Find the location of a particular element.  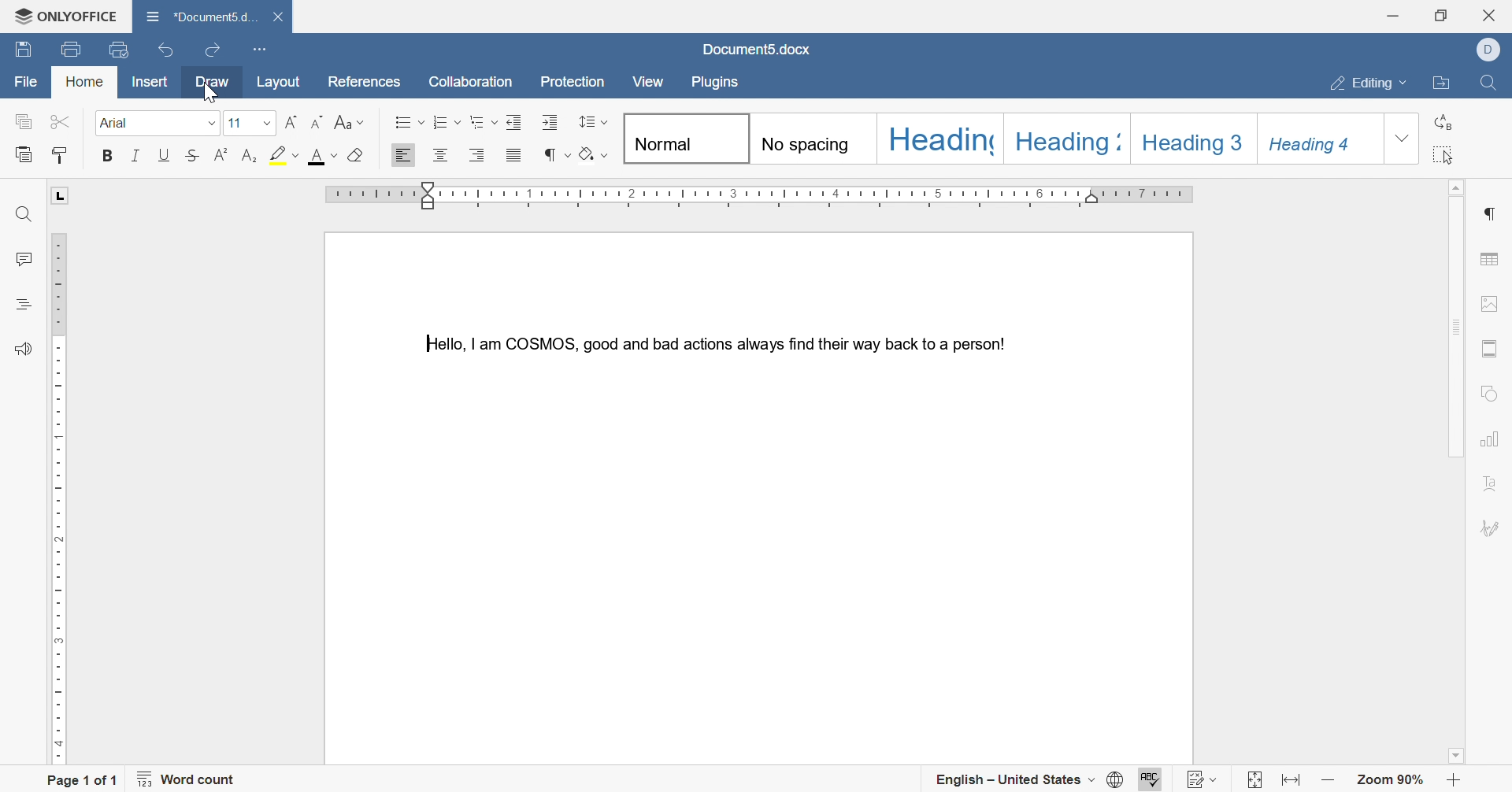

ruler is located at coordinates (57, 495).